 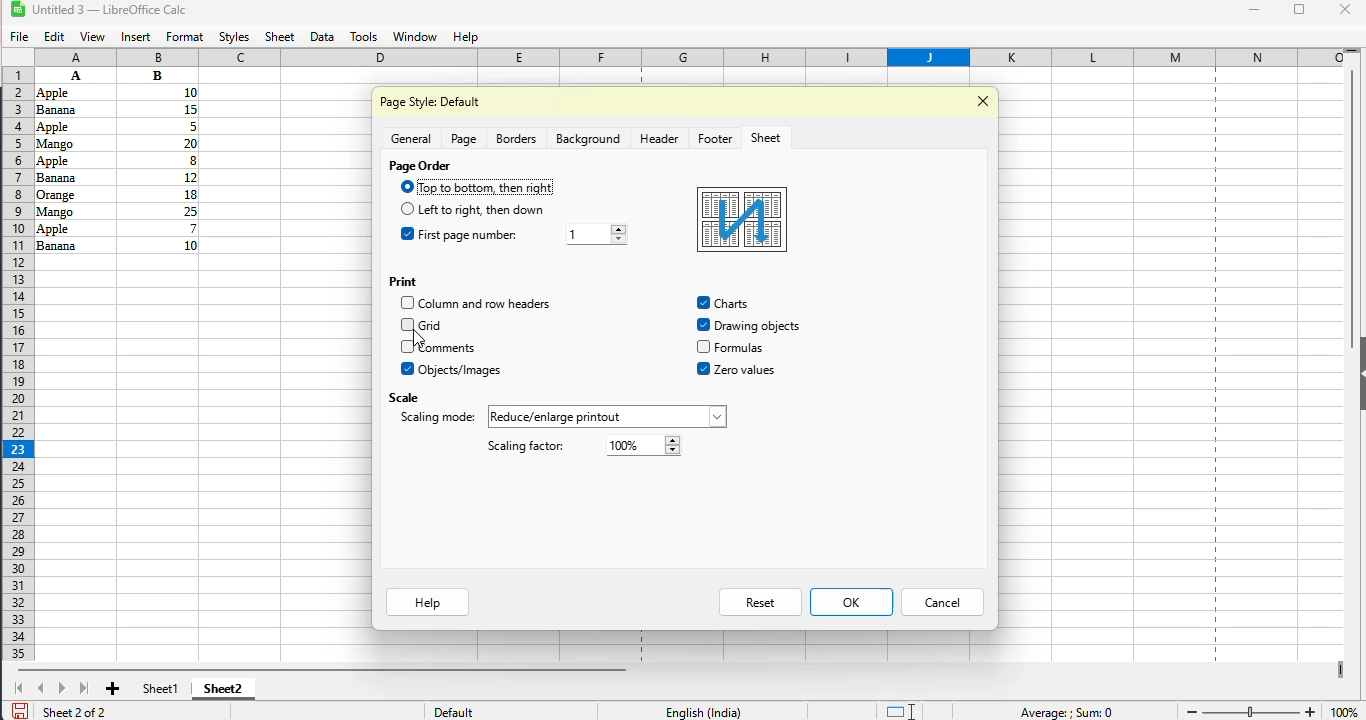 What do you see at coordinates (735, 304) in the screenshot?
I see `` at bounding box center [735, 304].